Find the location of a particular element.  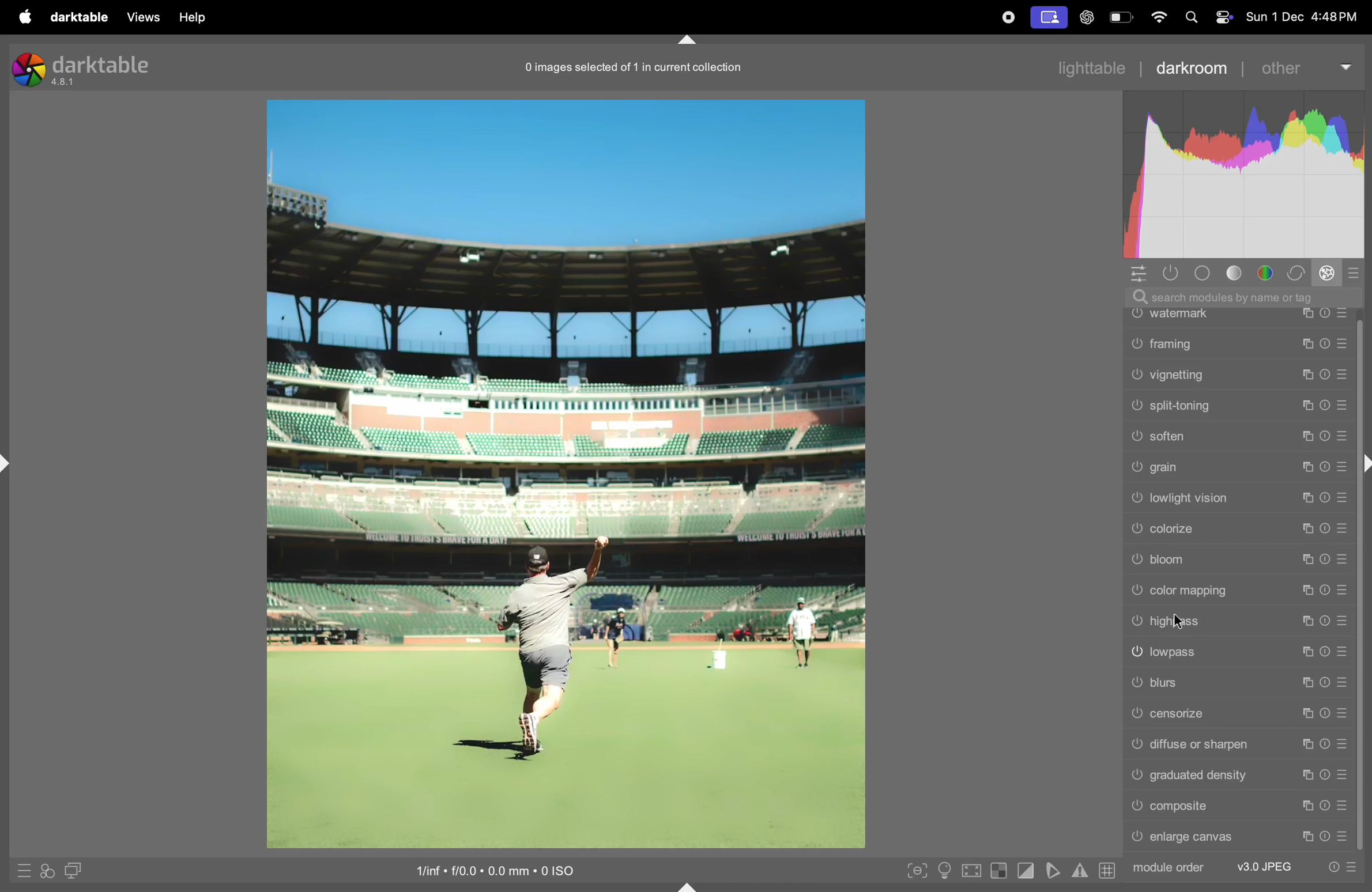

toggle high processing quality is located at coordinates (971, 870).